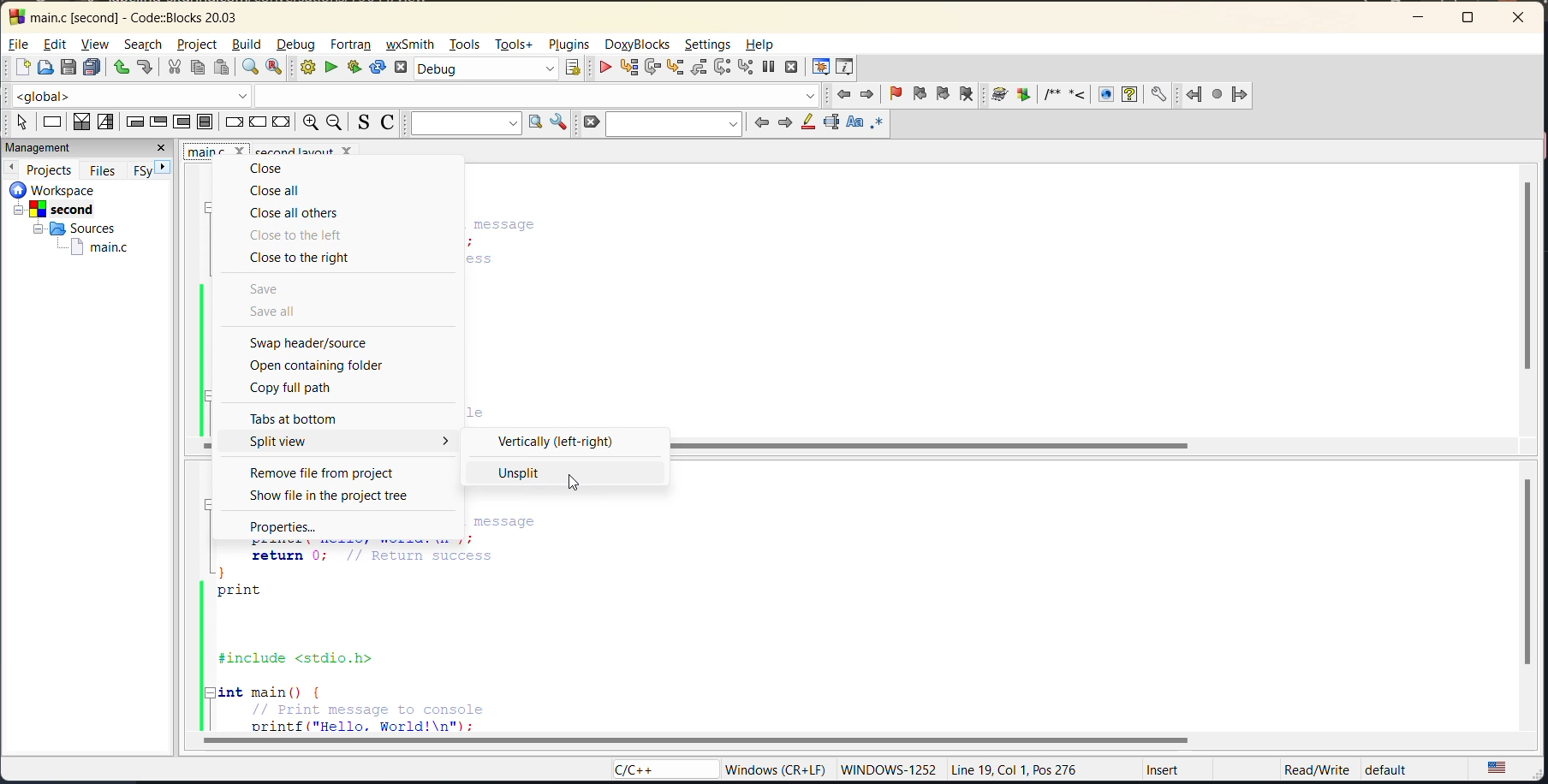 Image resolution: width=1548 pixels, height=784 pixels. What do you see at coordinates (588, 122) in the screenshot?
I see `clear` at bounding box center [588, 122].